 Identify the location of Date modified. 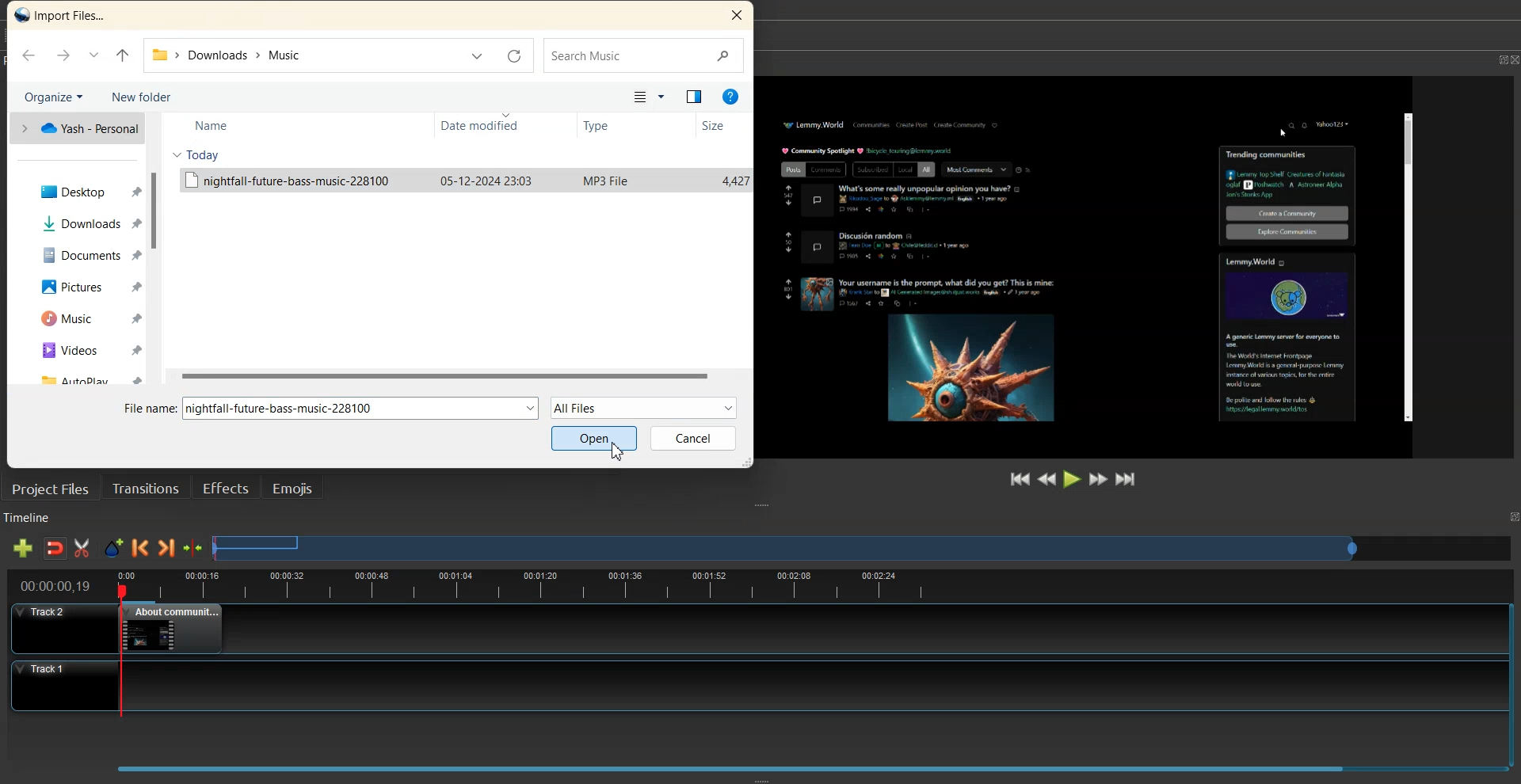
(492, 125).